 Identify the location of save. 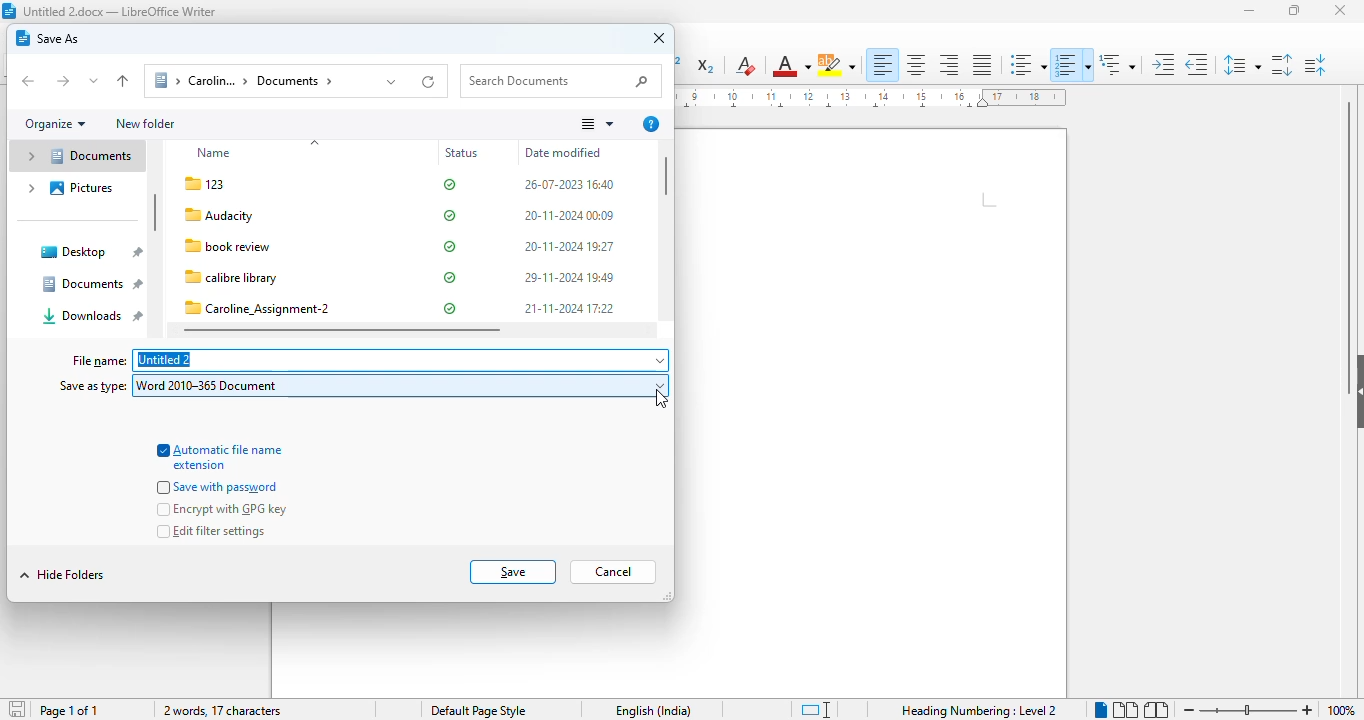
(16, 707).